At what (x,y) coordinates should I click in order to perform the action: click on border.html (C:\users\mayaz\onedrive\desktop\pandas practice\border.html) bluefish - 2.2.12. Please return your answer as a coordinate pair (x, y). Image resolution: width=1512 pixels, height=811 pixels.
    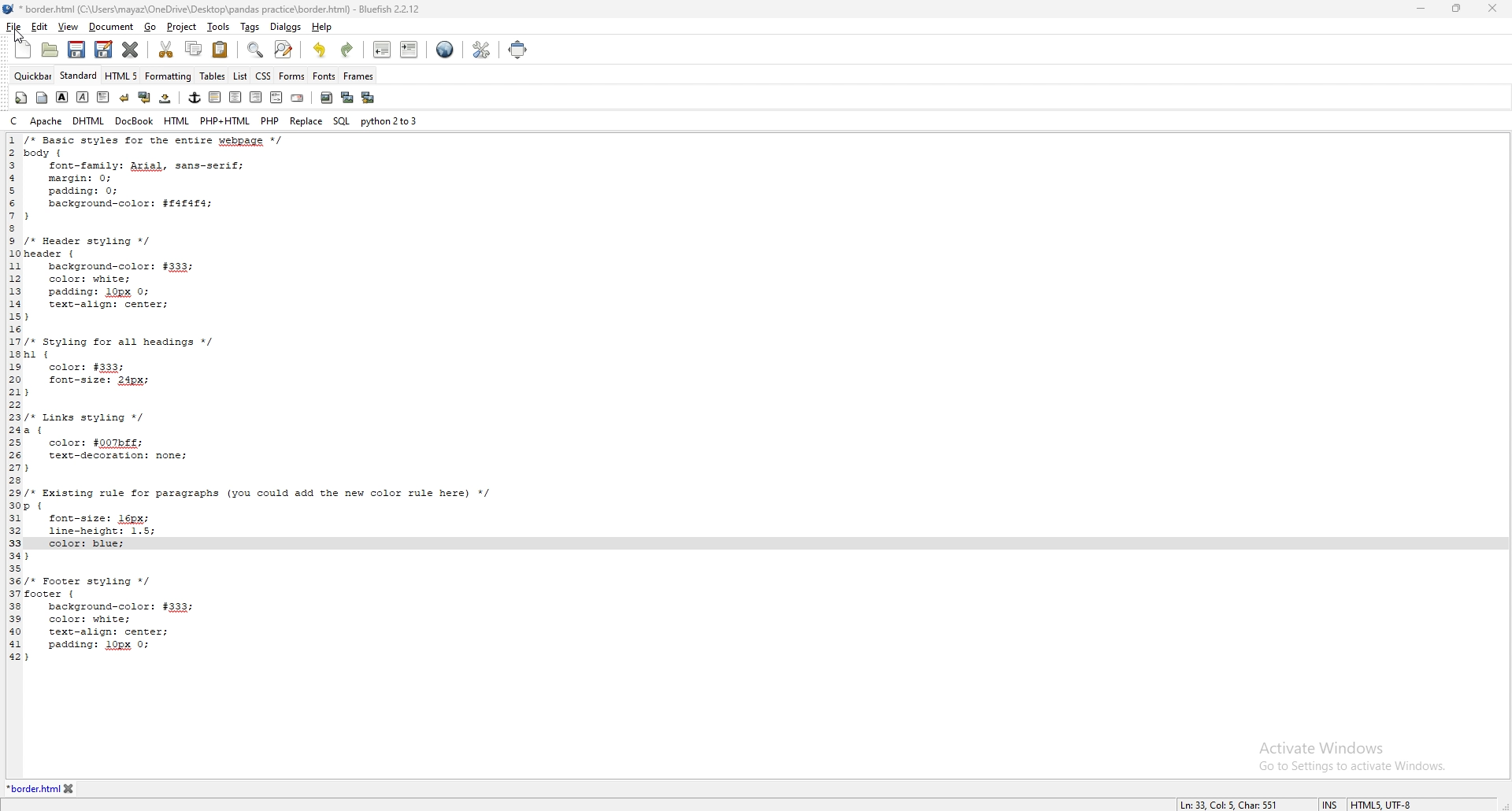
    Looking at the image, I should click on (226, 9).